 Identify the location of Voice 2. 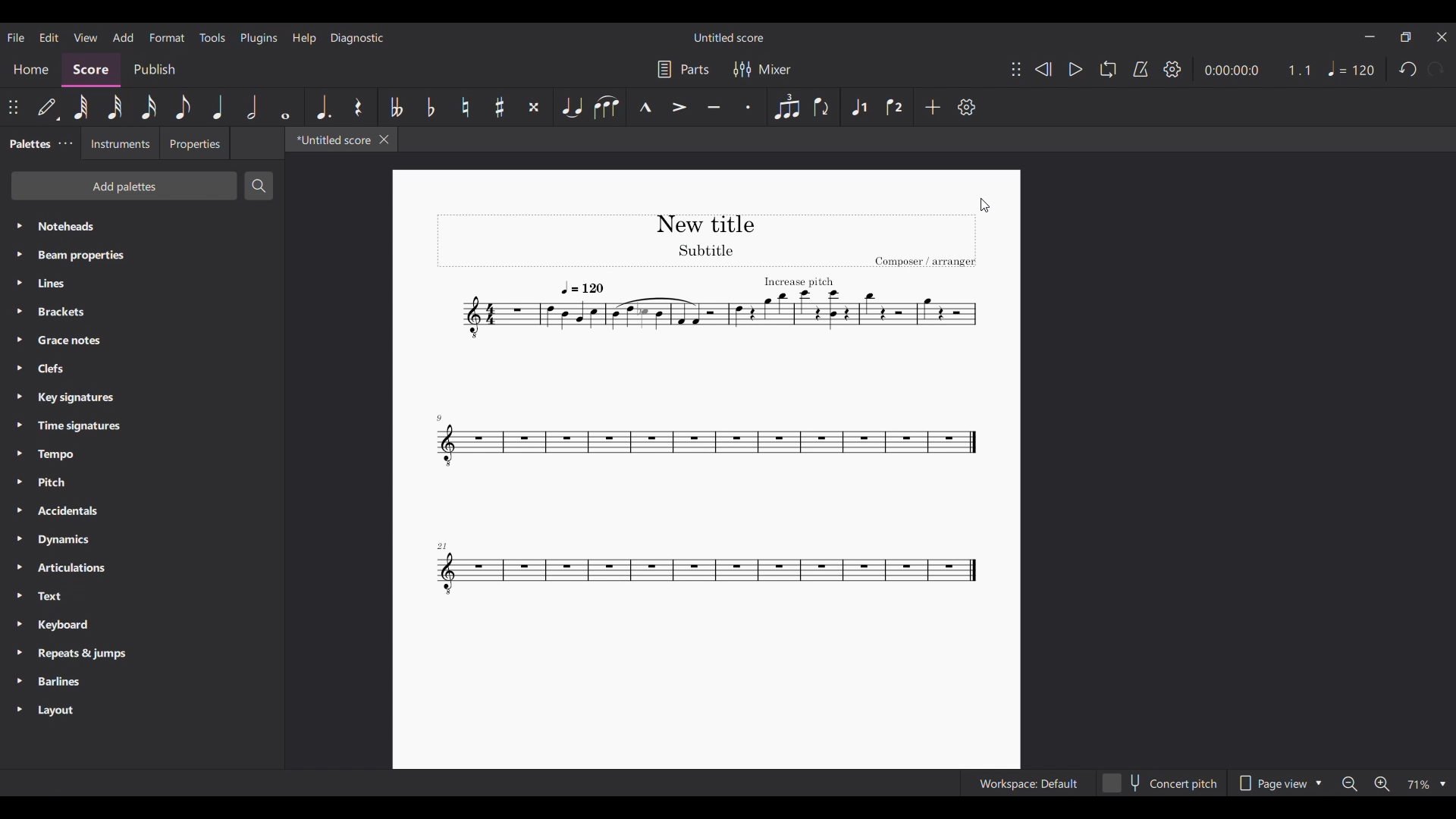
(896, 107).